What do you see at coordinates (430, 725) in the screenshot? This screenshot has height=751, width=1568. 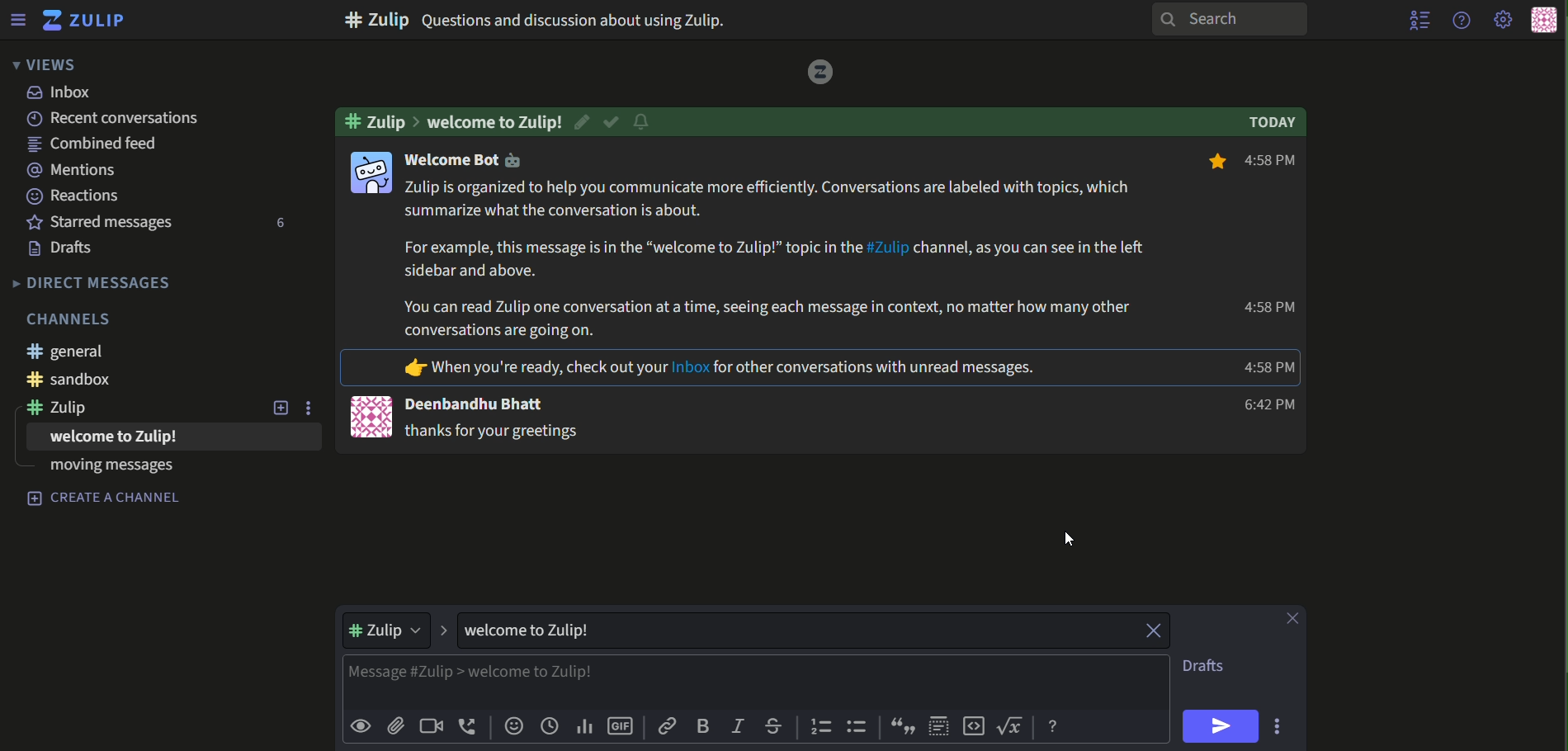 I see `add video call` at bounding box center [430, 725].